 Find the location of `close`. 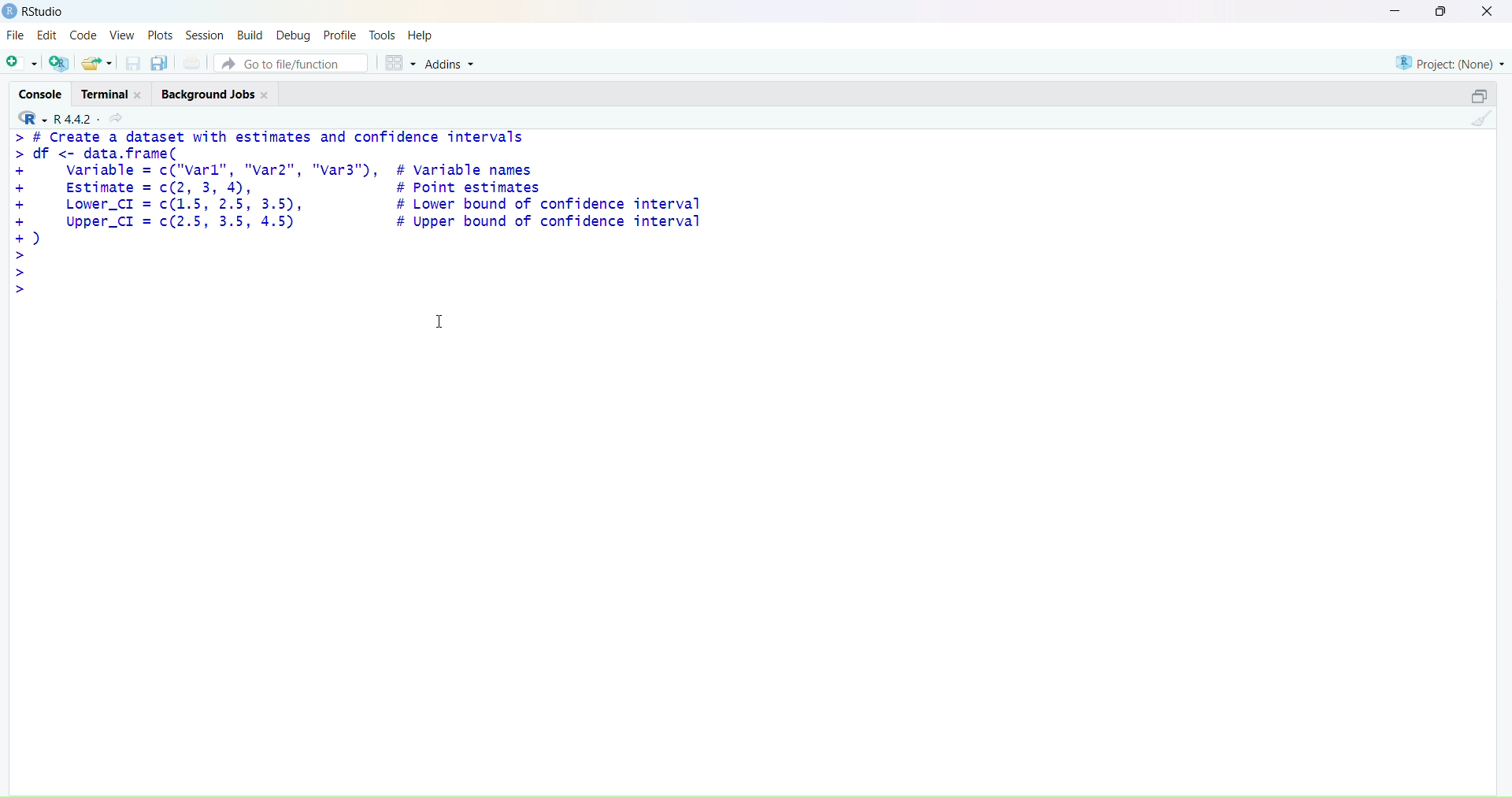

close is located at coordinates (1488, 13).